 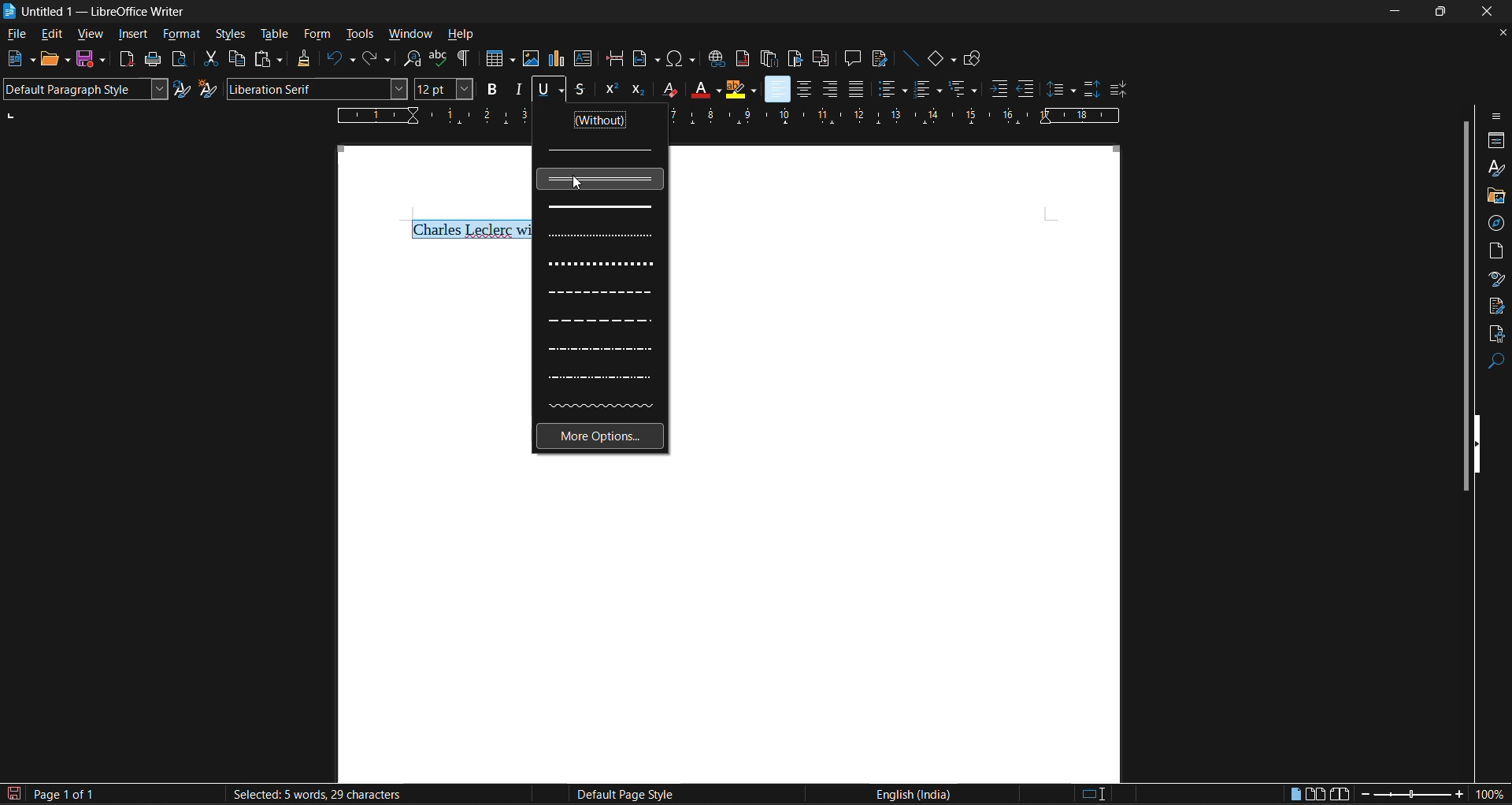 What do you see at coordinates (358, 35) in the screenshot?
I see `tools` at bounding box center [358, 35].